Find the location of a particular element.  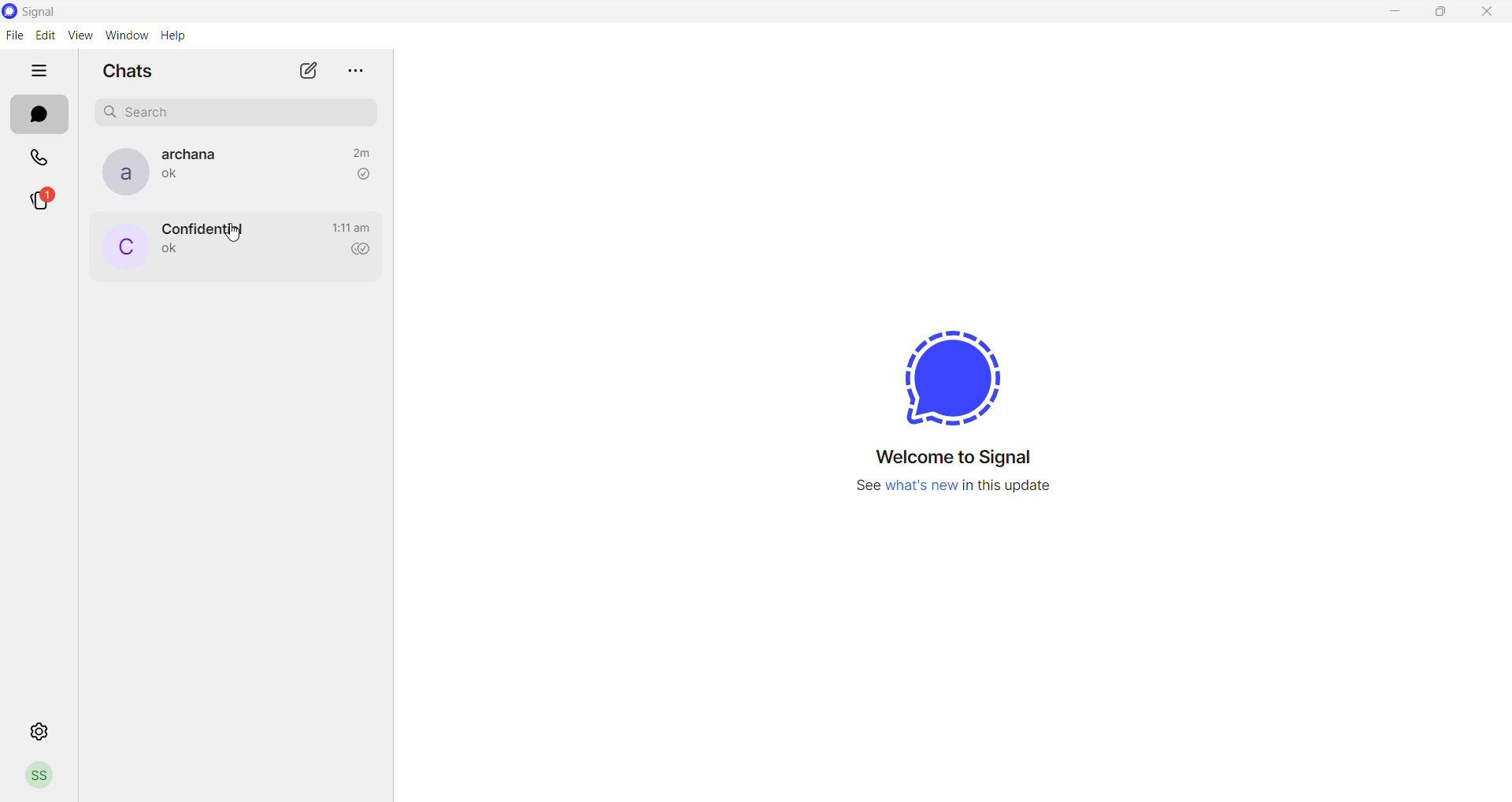

file is located at coordinates (13, 37).